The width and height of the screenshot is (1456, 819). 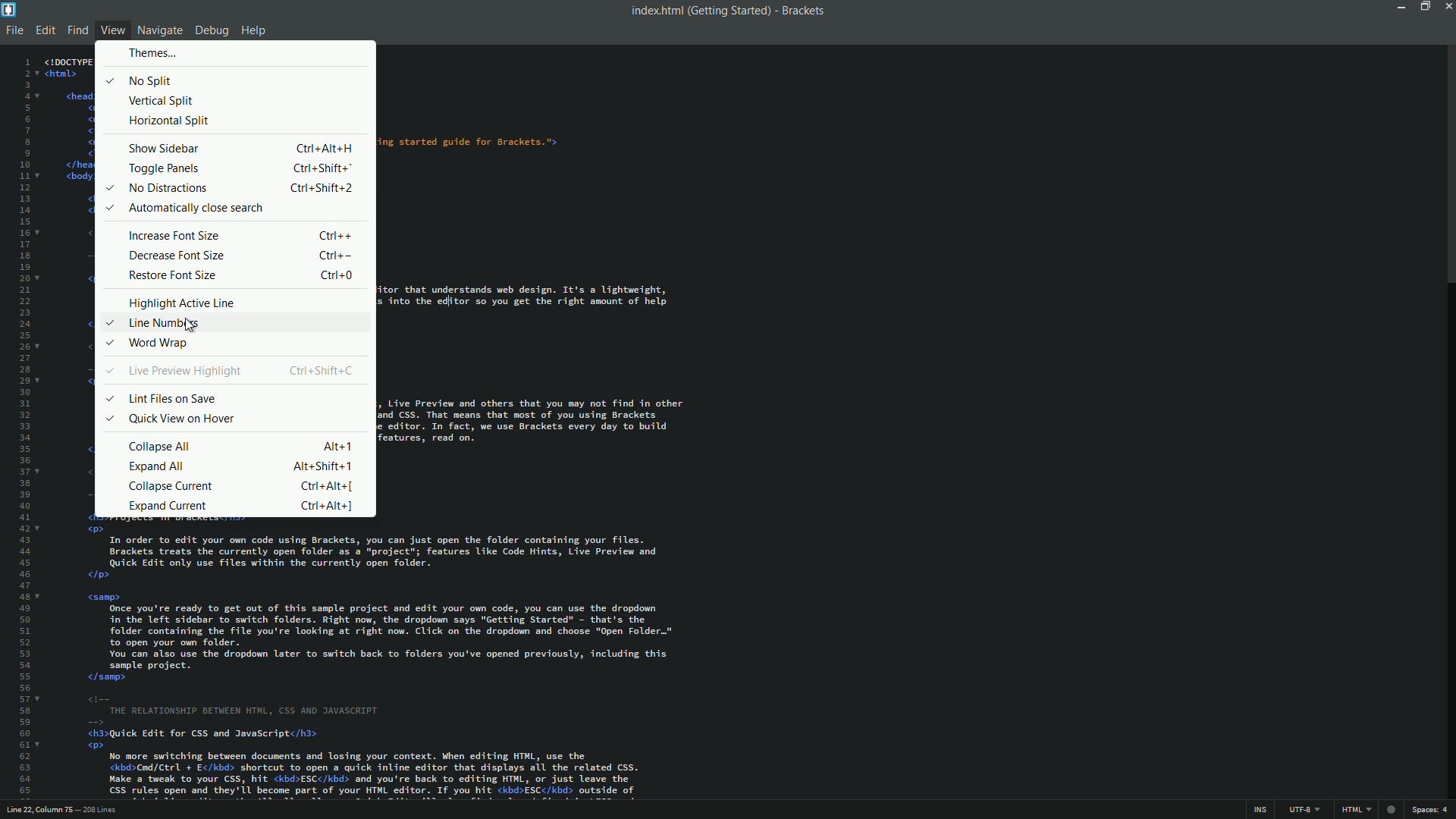 I want to click on Word Wrap, so click(x=152, y=344).